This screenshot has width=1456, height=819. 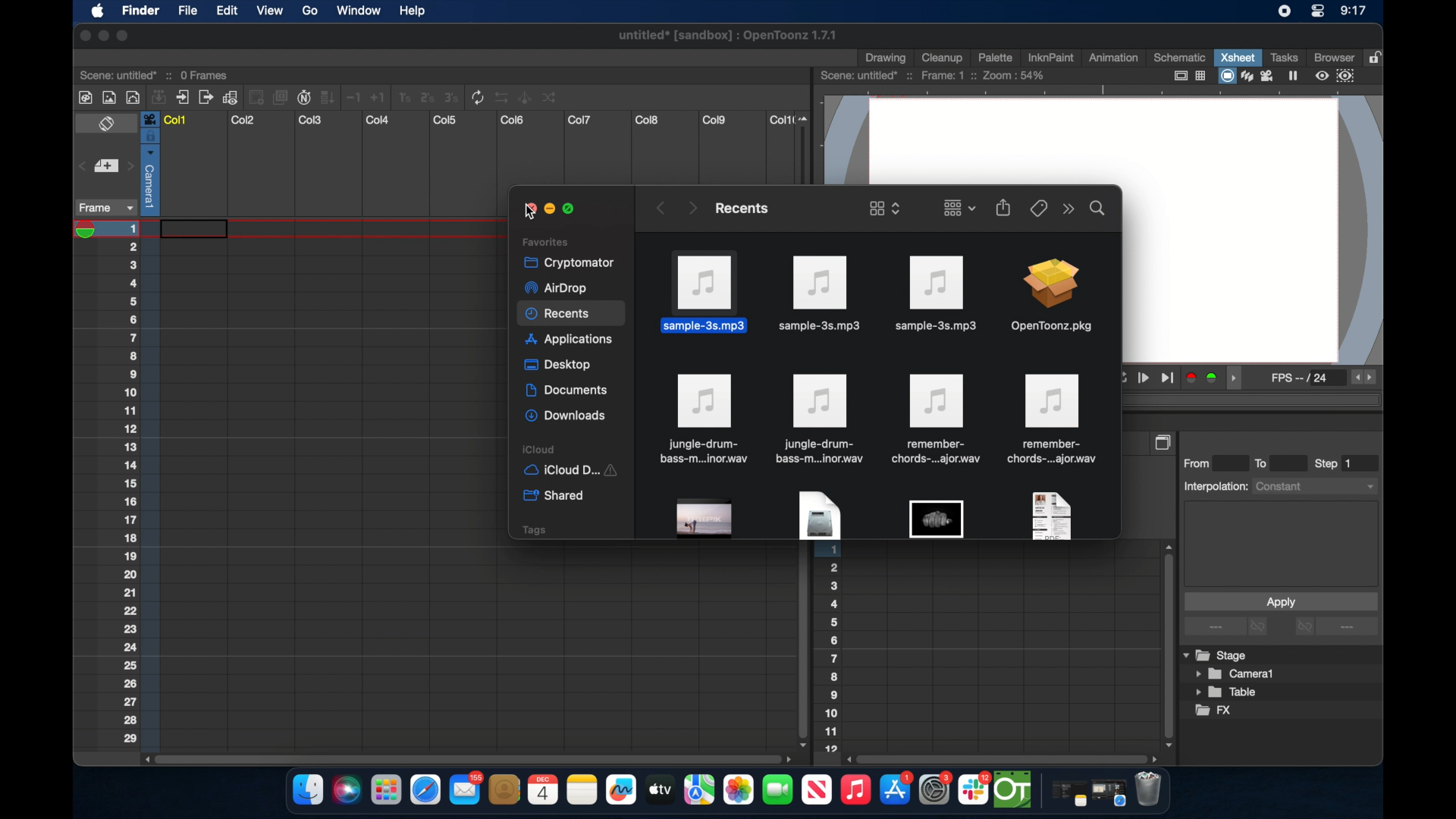 I want to click on numbering, so click(x=832, y=651).